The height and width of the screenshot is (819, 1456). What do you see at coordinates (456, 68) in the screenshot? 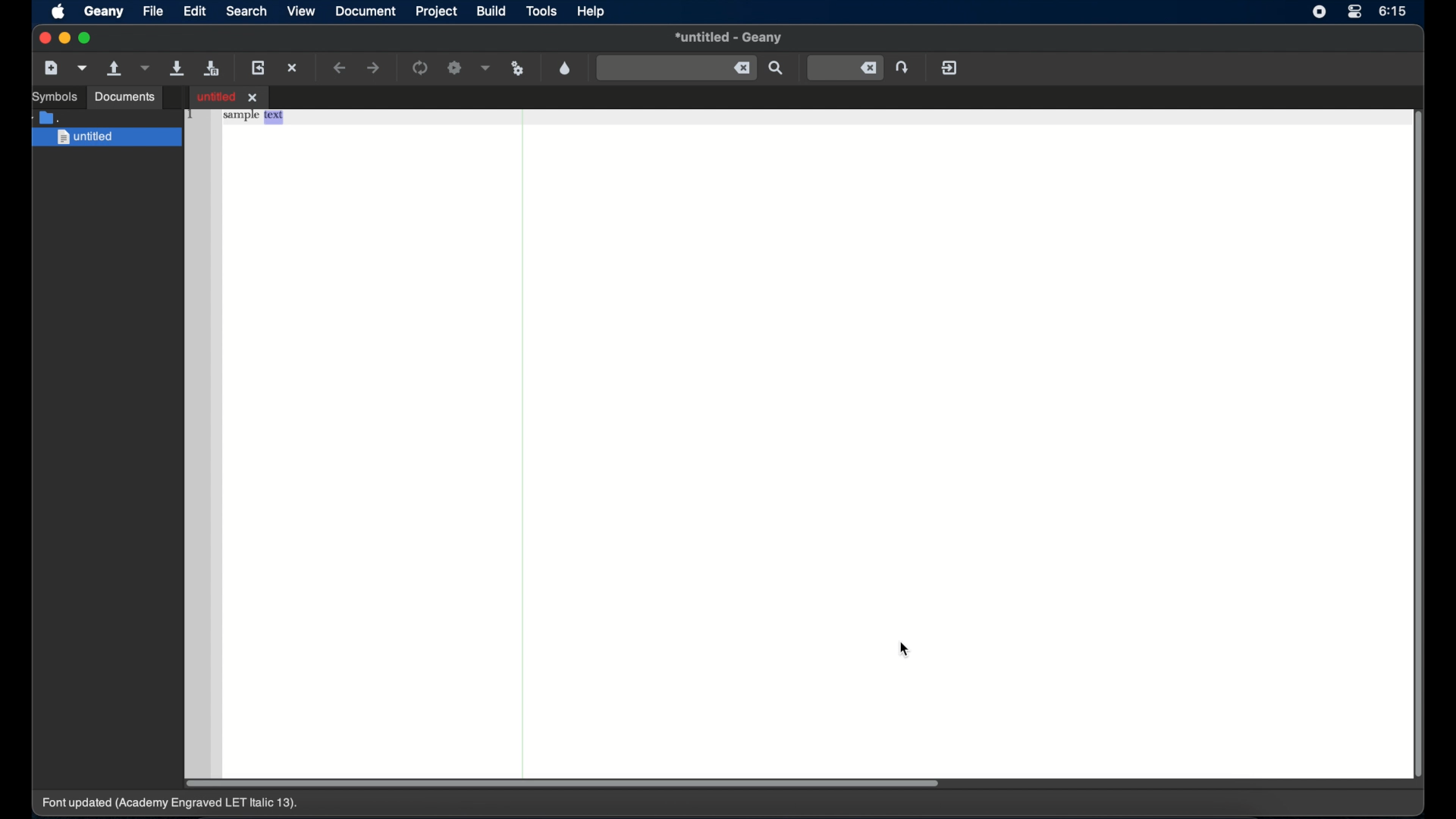
I see `build the current file` at bounding box center [456, 68].